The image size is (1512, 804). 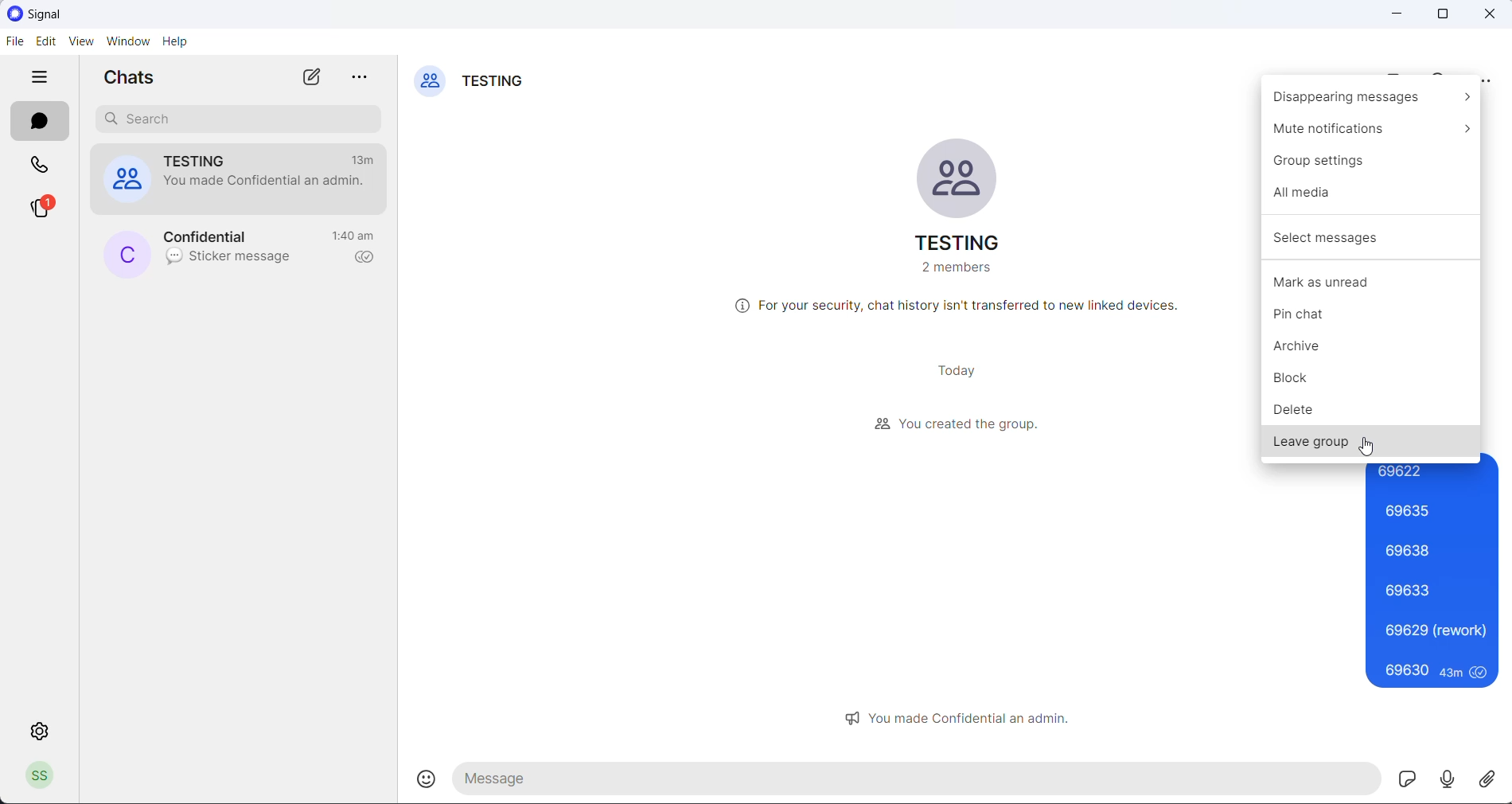 I want to click on emojis, so click(x=431, y=779).